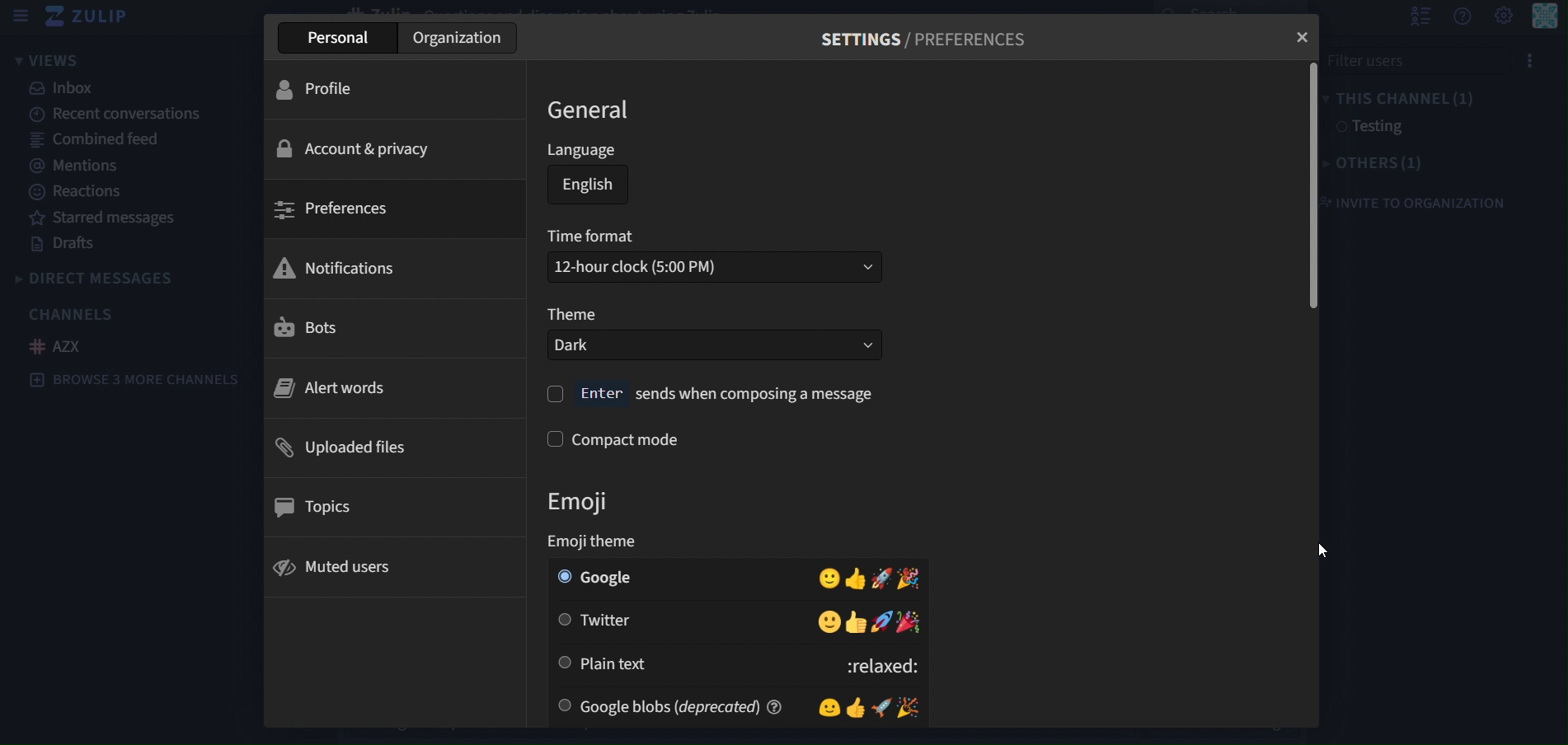 This screenshot has height=745, width=1568. I want to click on :relaxed:, so click(882, 664).